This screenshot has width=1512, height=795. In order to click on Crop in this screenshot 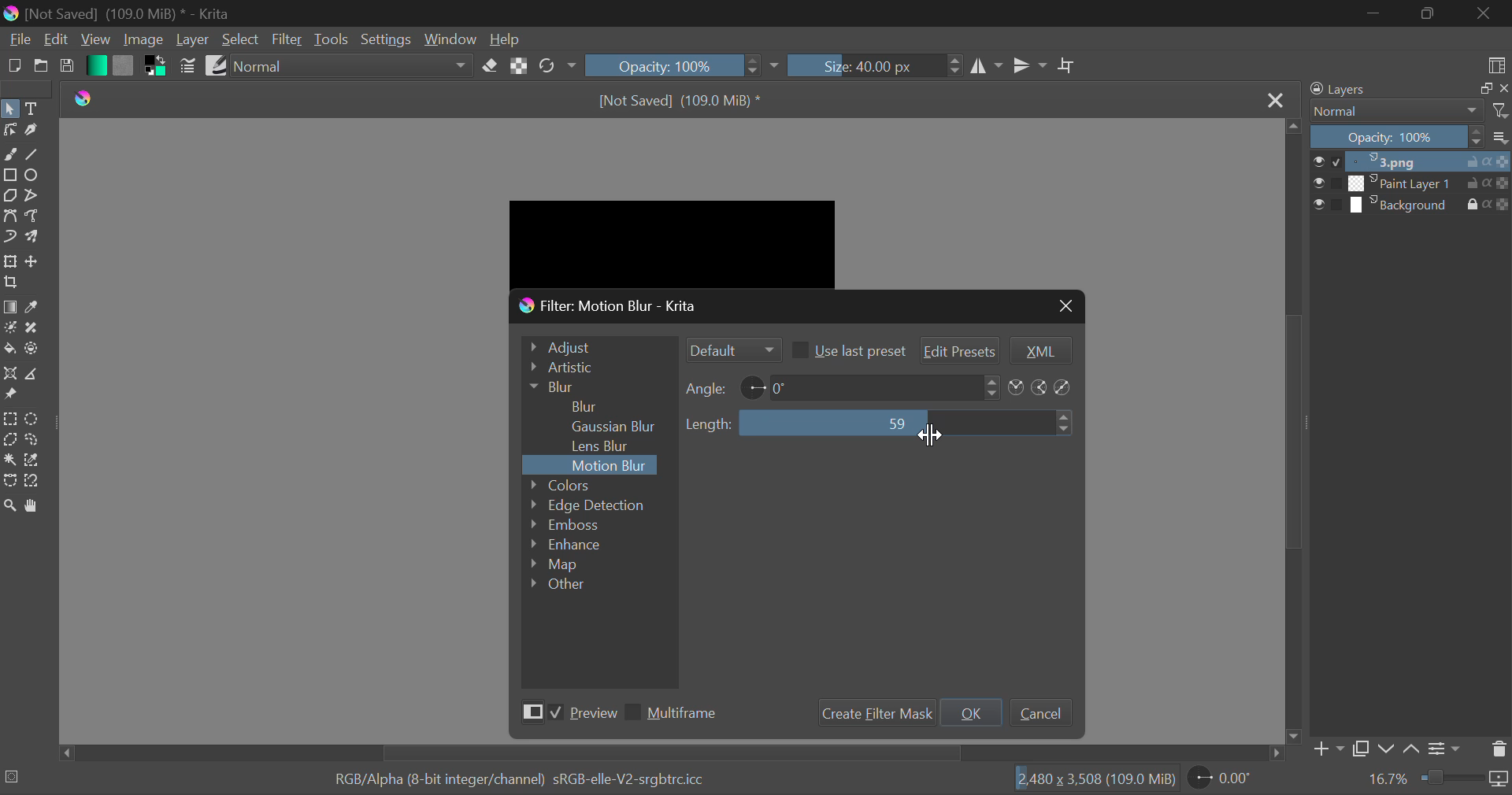, I will do `click(1067, 66)`.